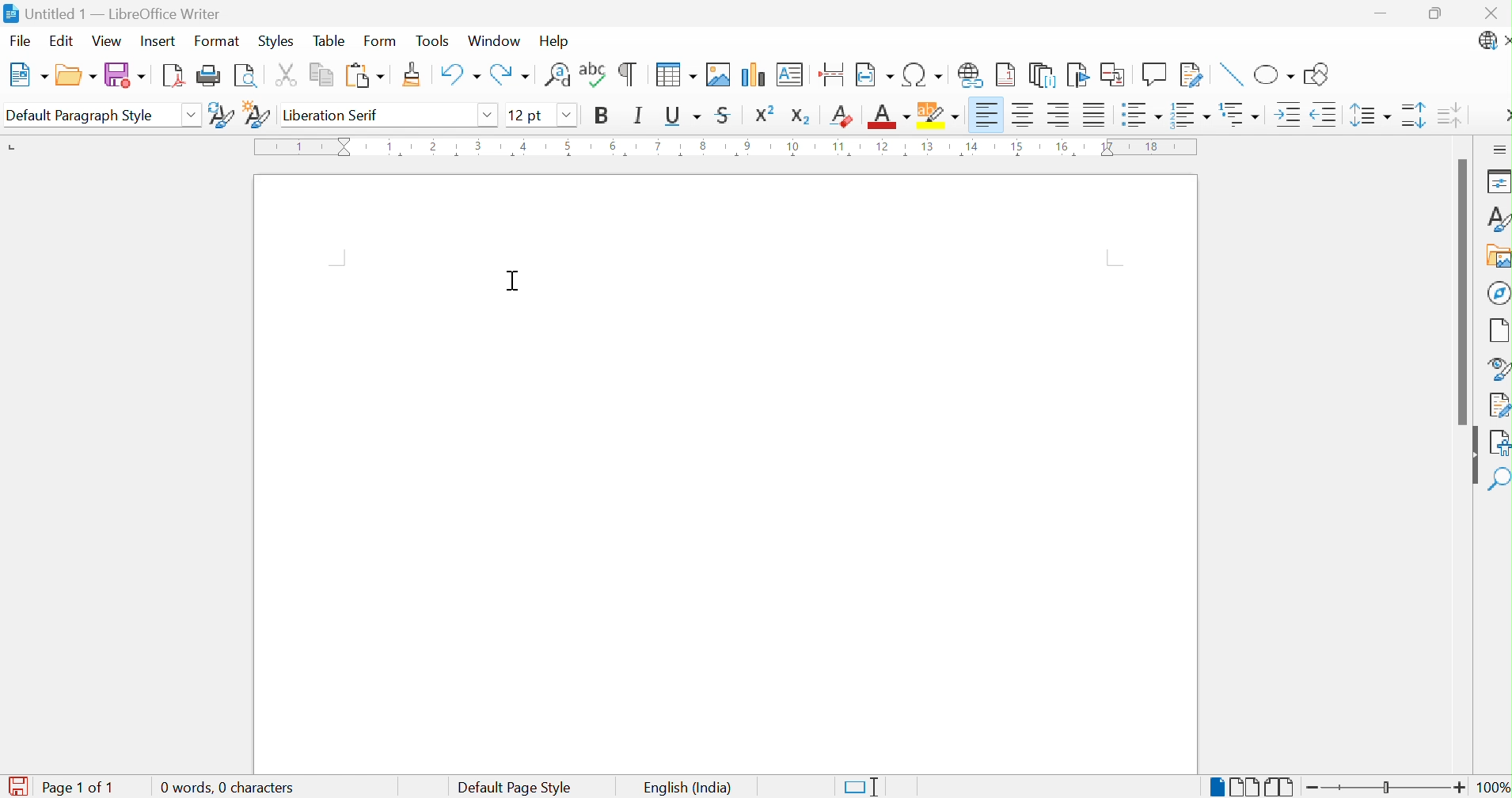 Image resolution: width=1512 pixels, height=798 pixels. I want to click on Align Left, so click(986, 114).